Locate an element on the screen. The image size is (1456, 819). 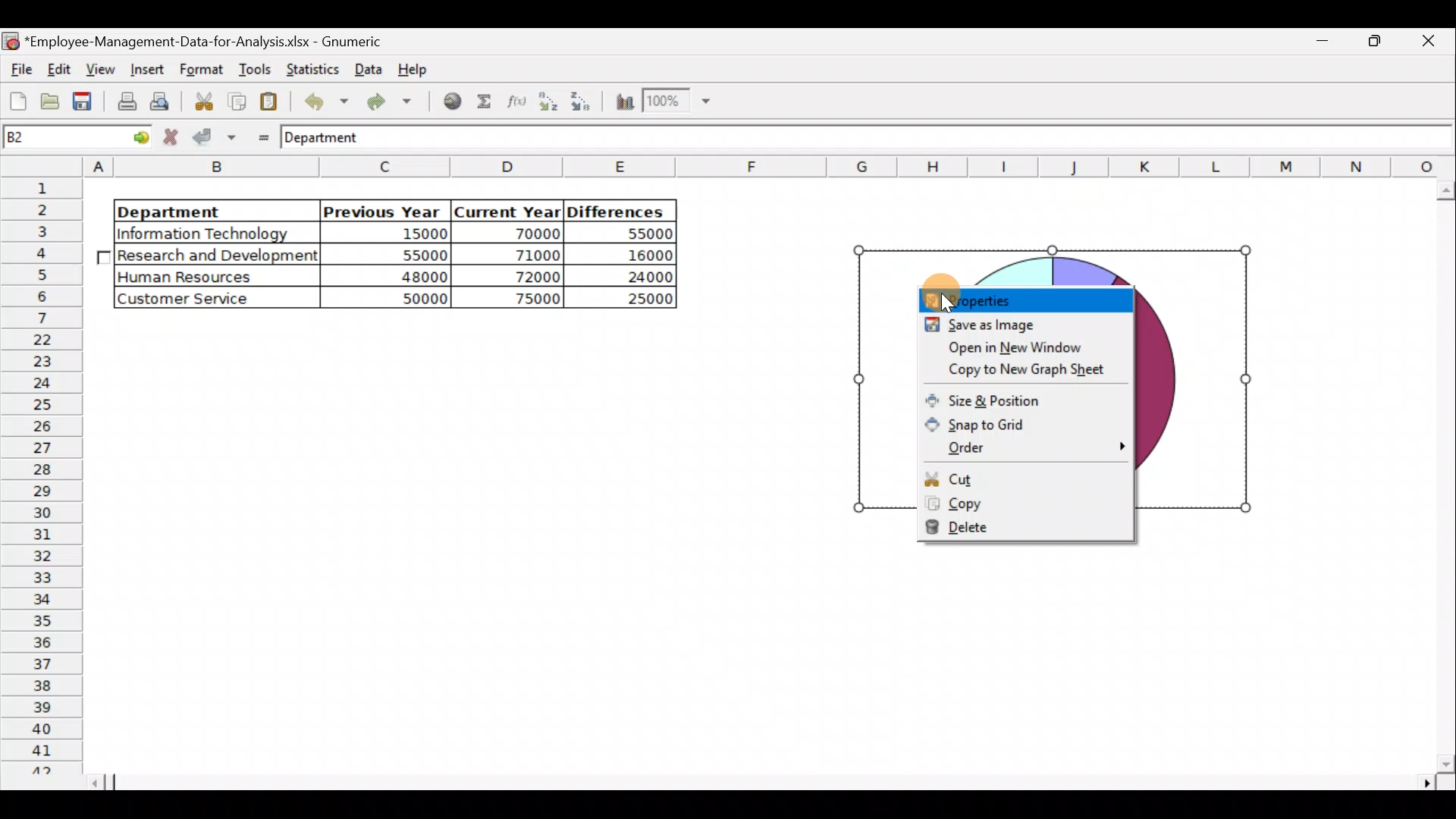
File is located at coordinates (19, 65).